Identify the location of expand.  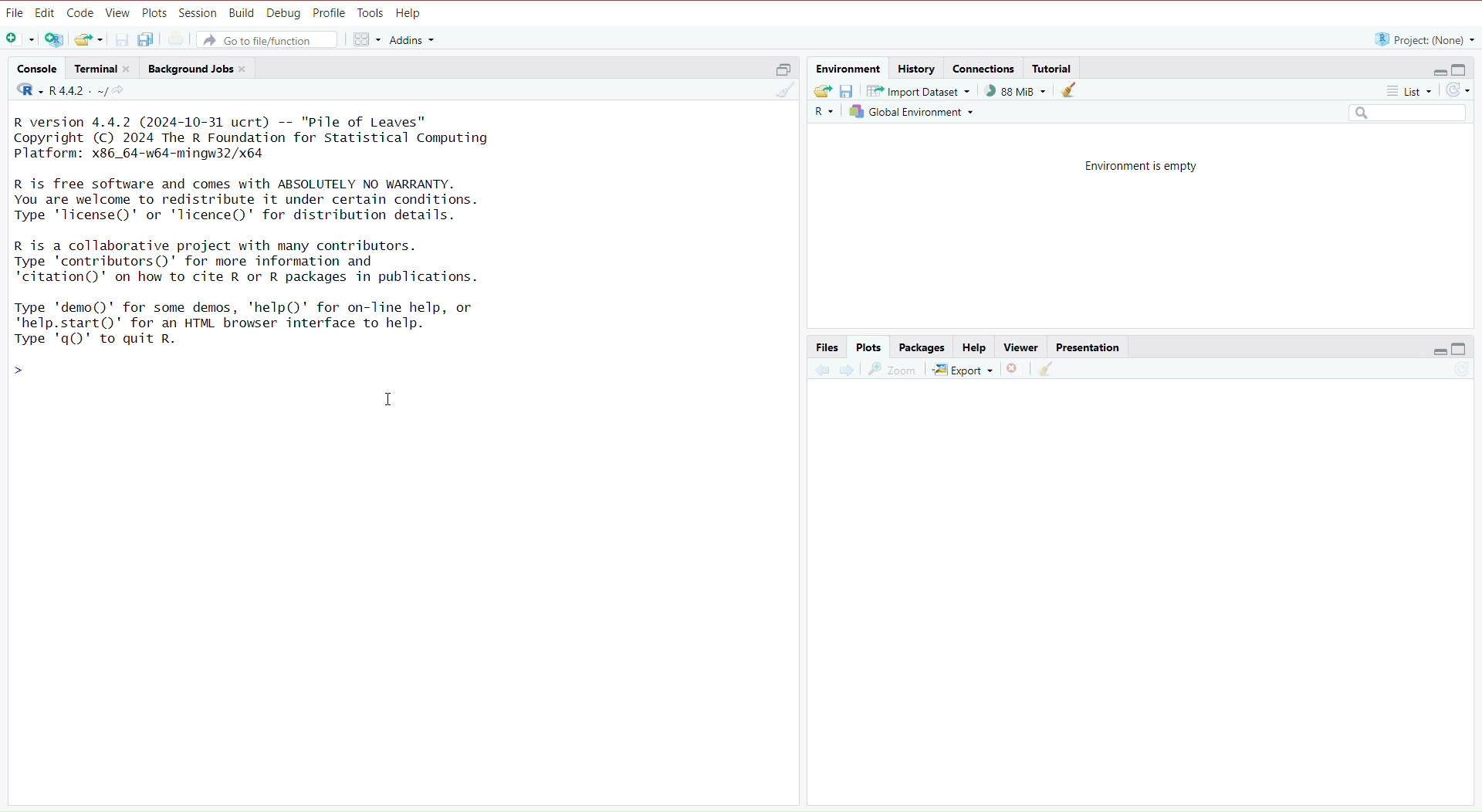
(779, 72).